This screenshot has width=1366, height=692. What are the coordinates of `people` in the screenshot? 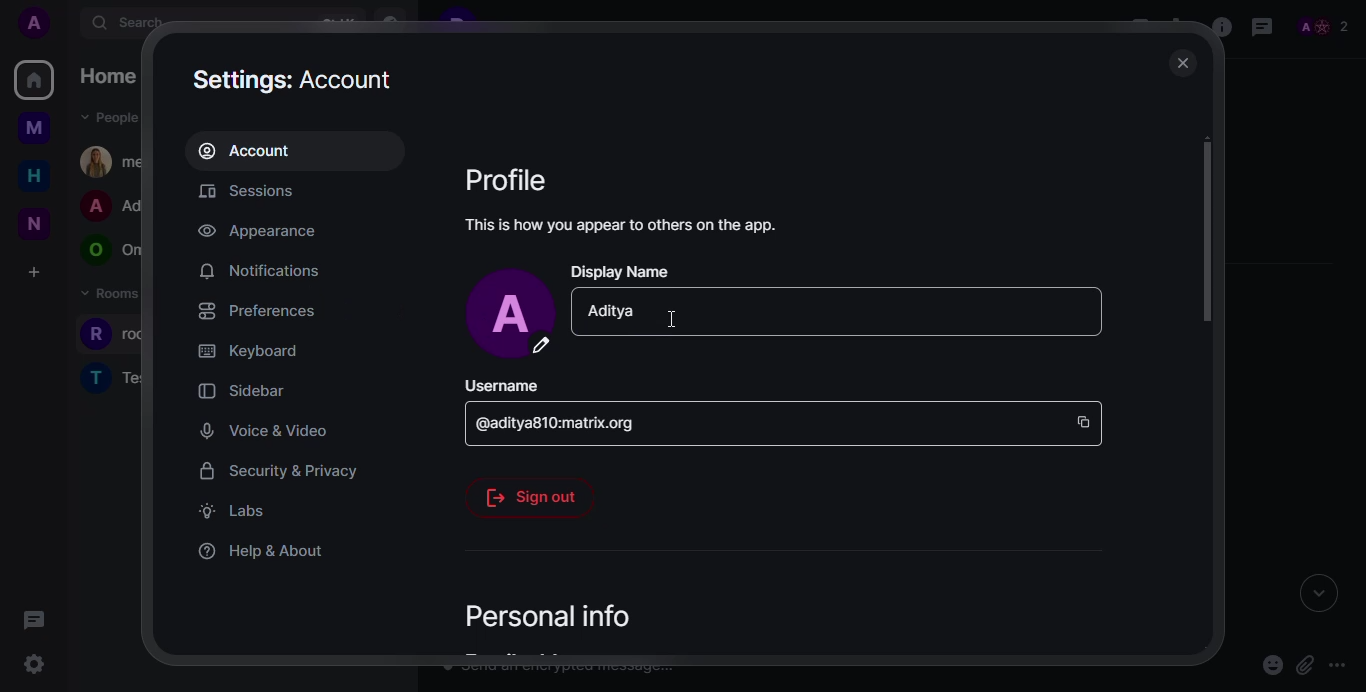 It's located at (105, 159).